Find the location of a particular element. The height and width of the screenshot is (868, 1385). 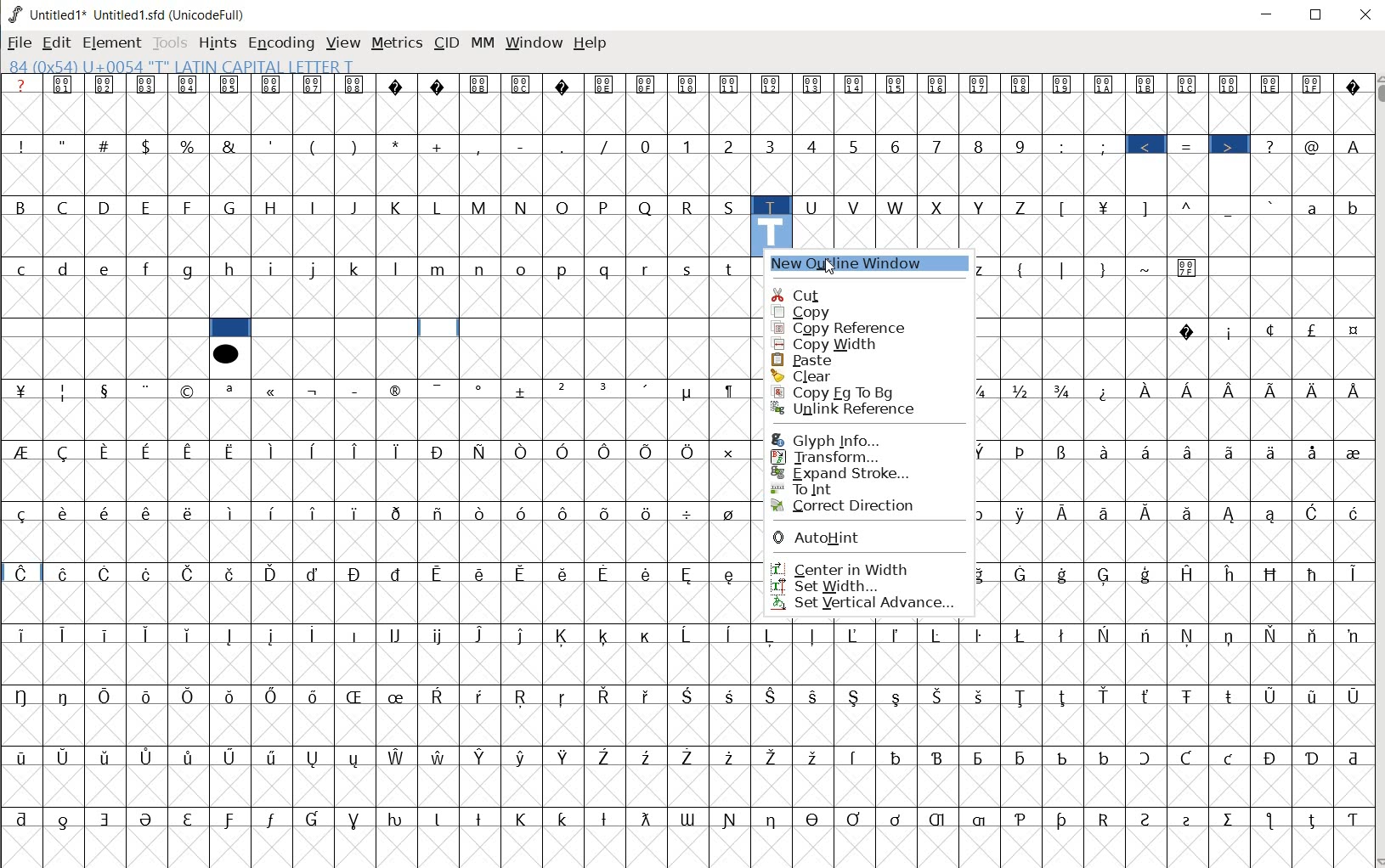

Symbol is located at coordinates (22, 636).